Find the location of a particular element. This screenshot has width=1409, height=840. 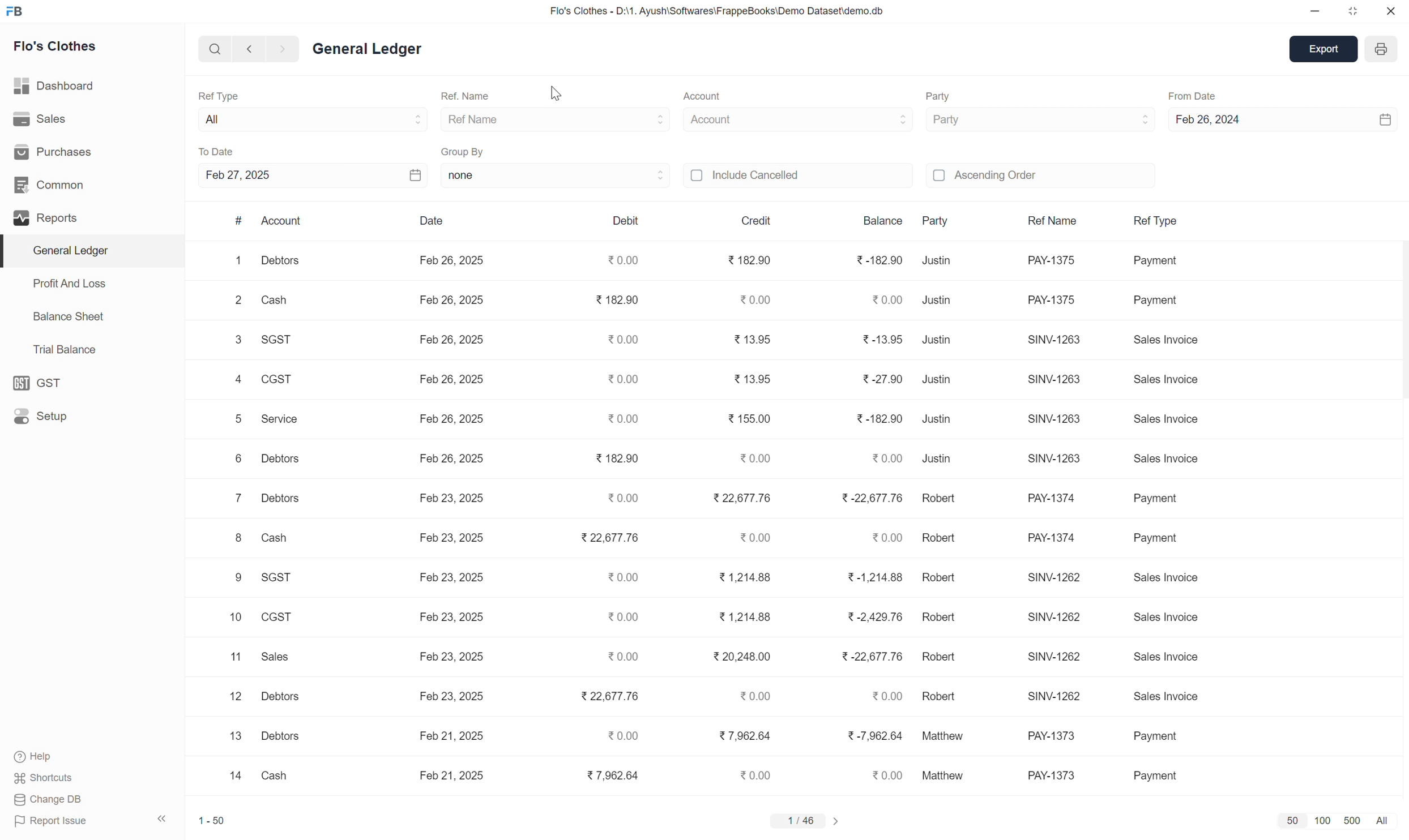

0.00 is located at coordinates (627, 339).